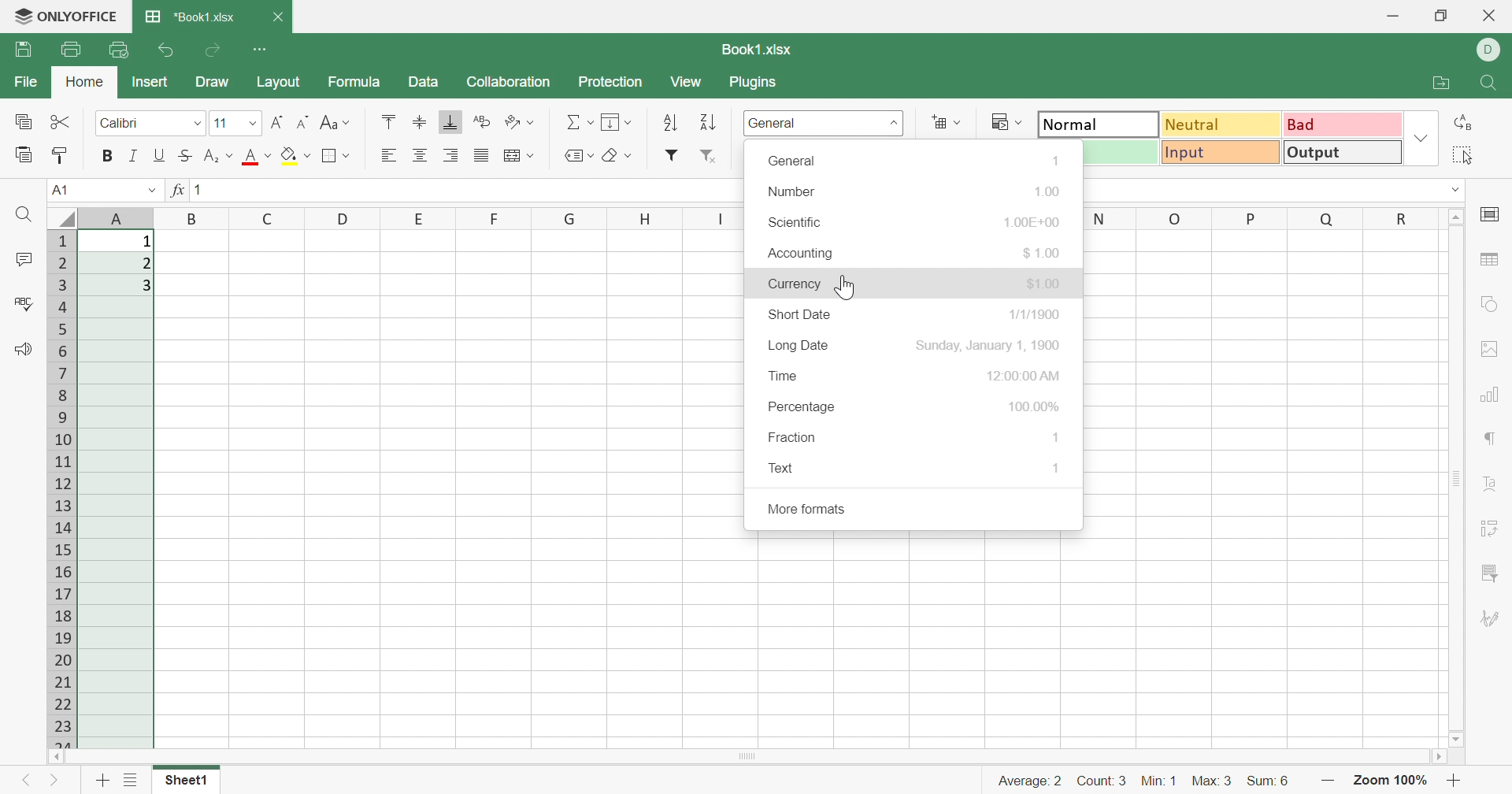 Image resolution: width=1512 pixels, height=794 pixels. I want to click on Drop down, so click(1423, 137).